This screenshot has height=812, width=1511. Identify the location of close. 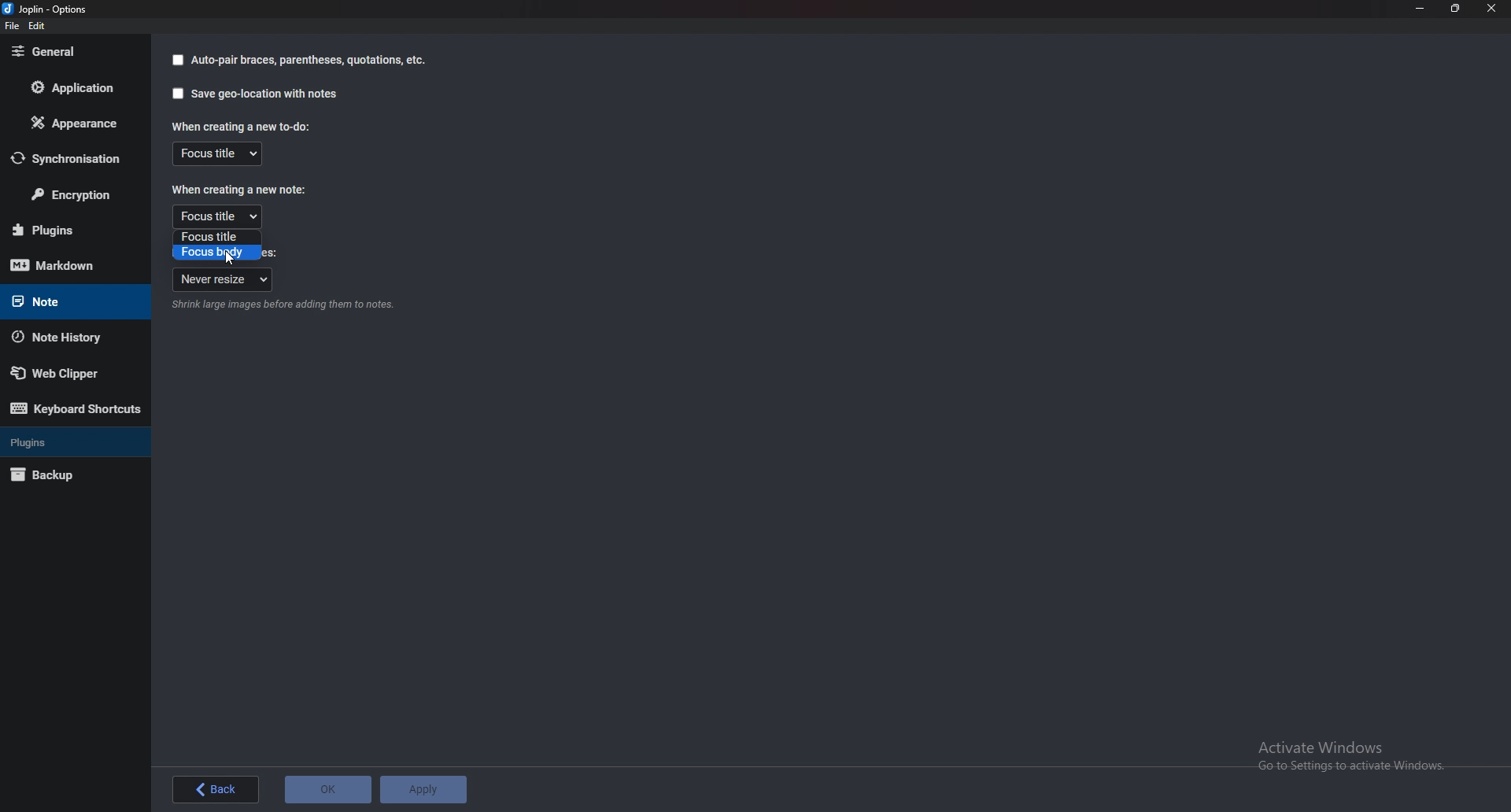
(1491, 9).